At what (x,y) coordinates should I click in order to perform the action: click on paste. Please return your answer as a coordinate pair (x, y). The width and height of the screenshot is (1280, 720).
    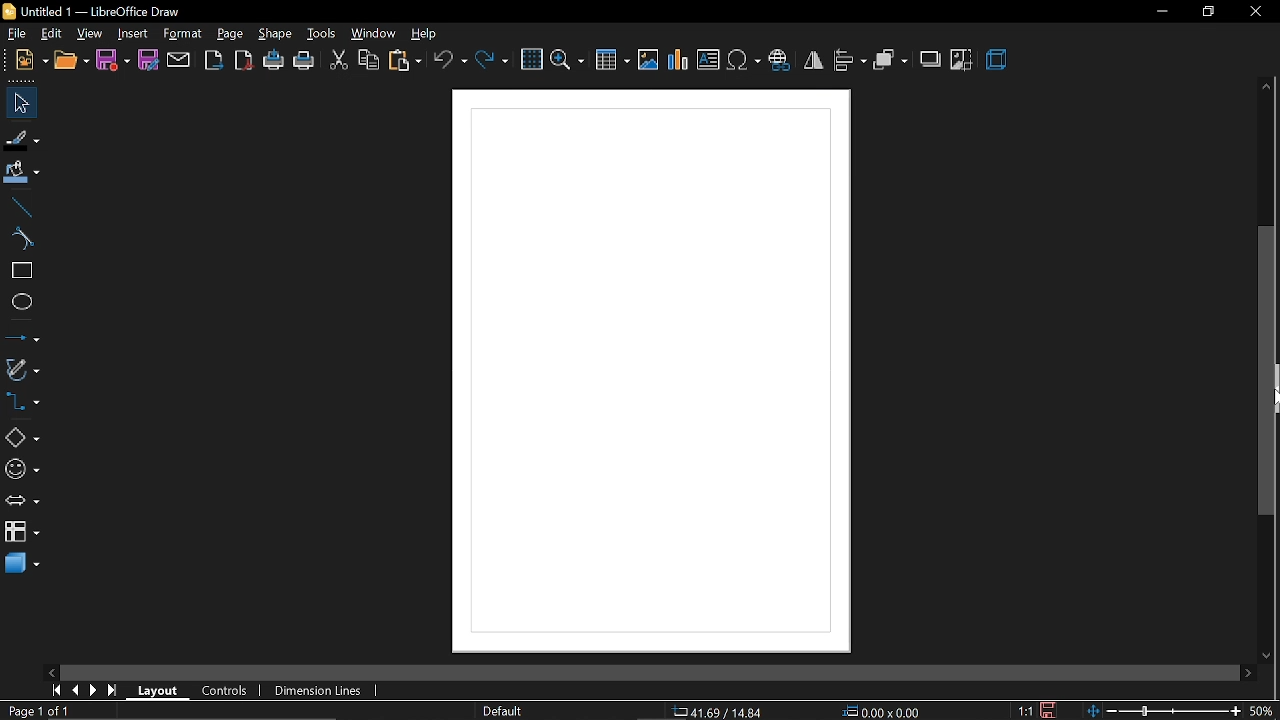
    Looking at the image, I should click on (404, 62).